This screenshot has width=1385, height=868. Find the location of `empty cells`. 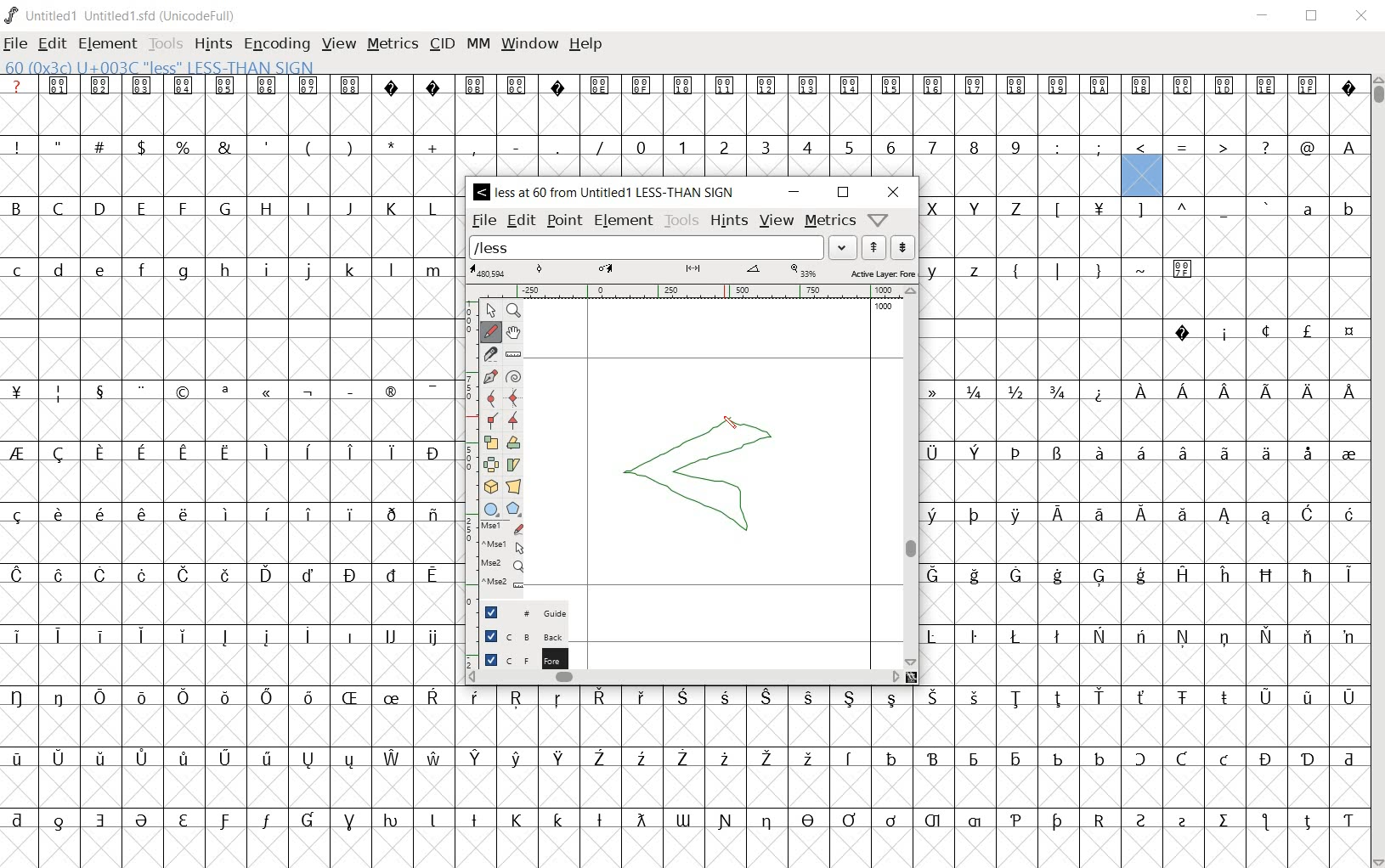

empty cells is located at coordinates (1136, 420).